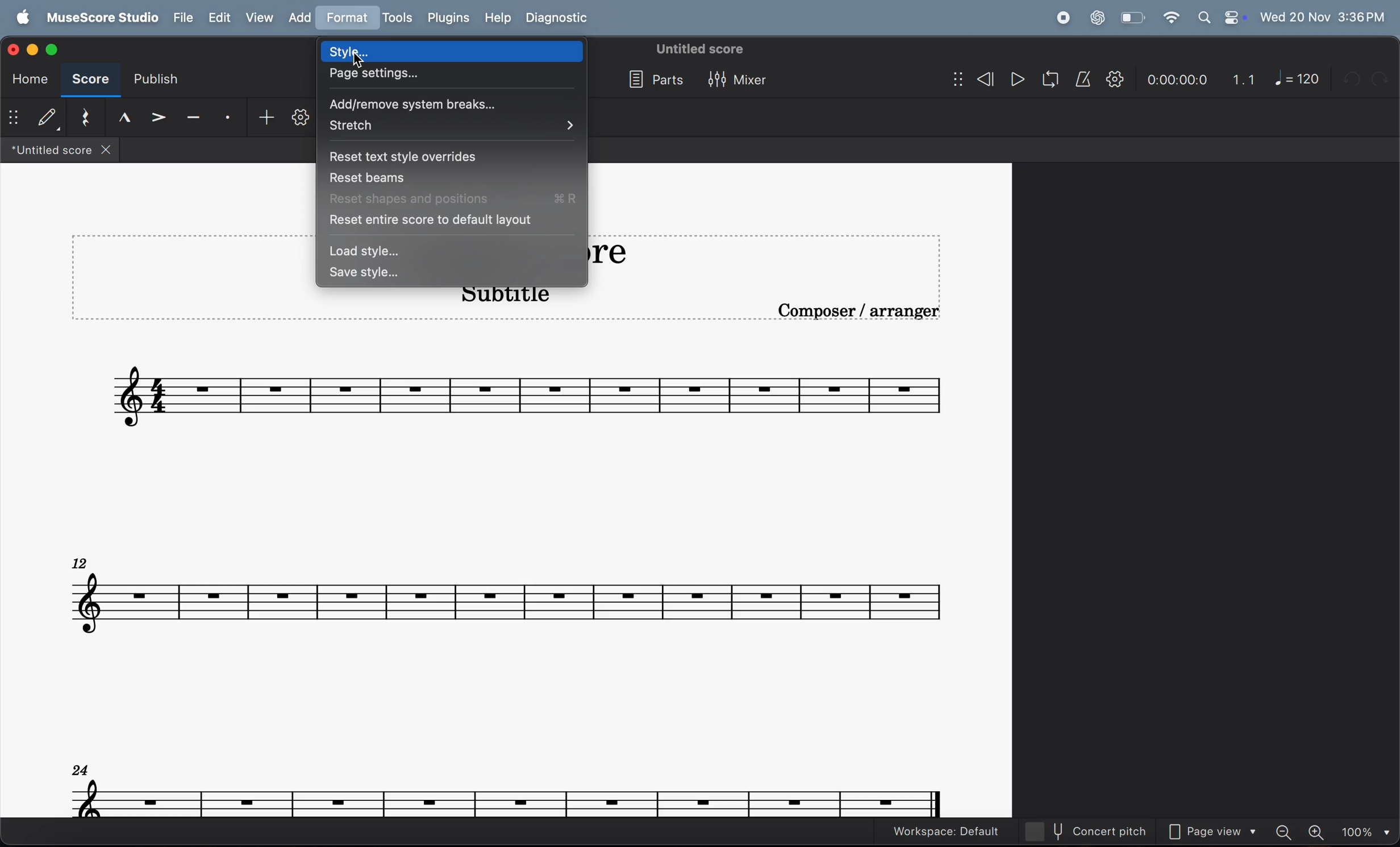 The width and height of the screenshot is (1400, 847). I want to click on time frame, so click(1176, 81).